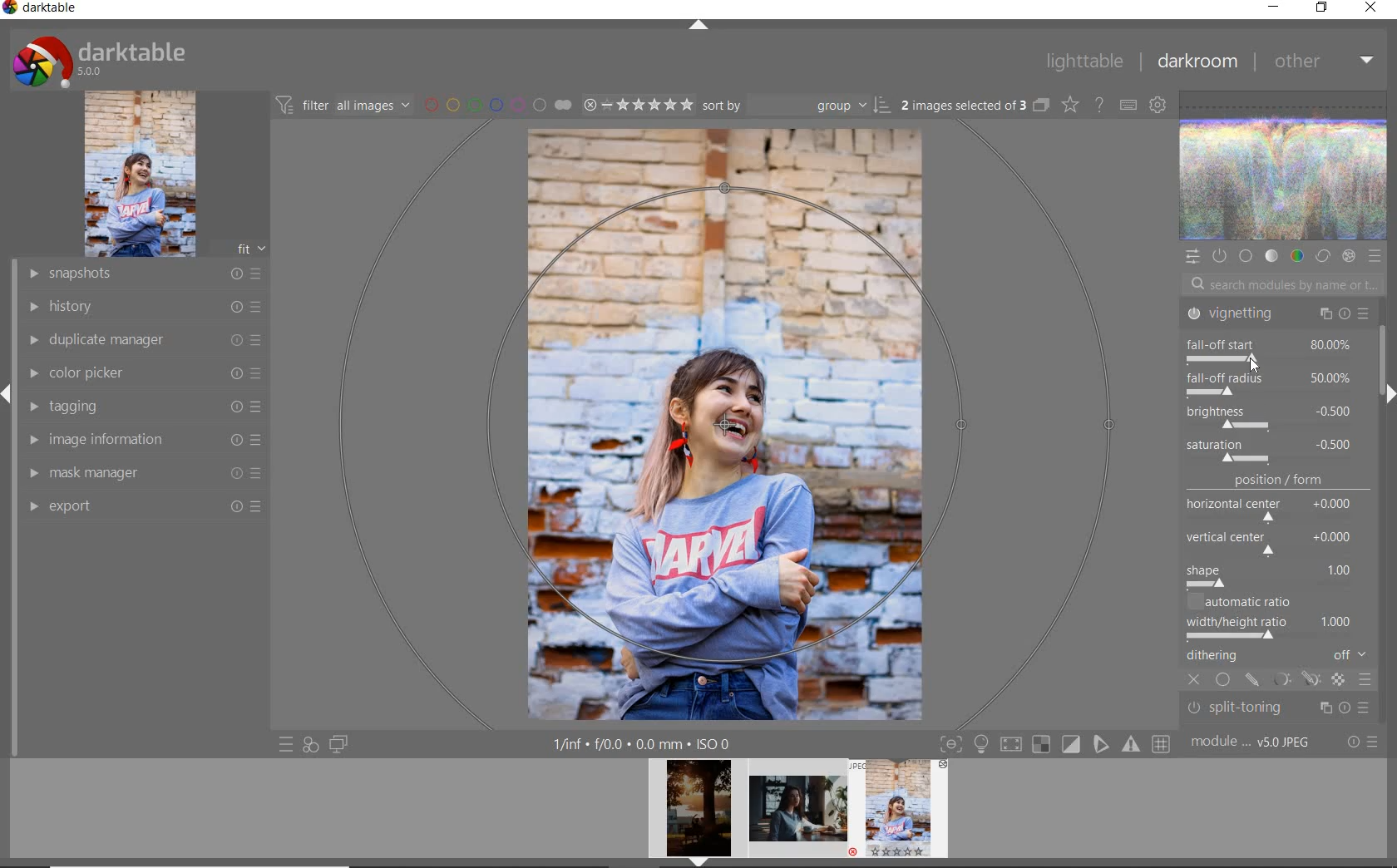 The image size is (1397, 868). Describe the element at coordinates (140, 174) in the screenshot. I see `image` at that location.